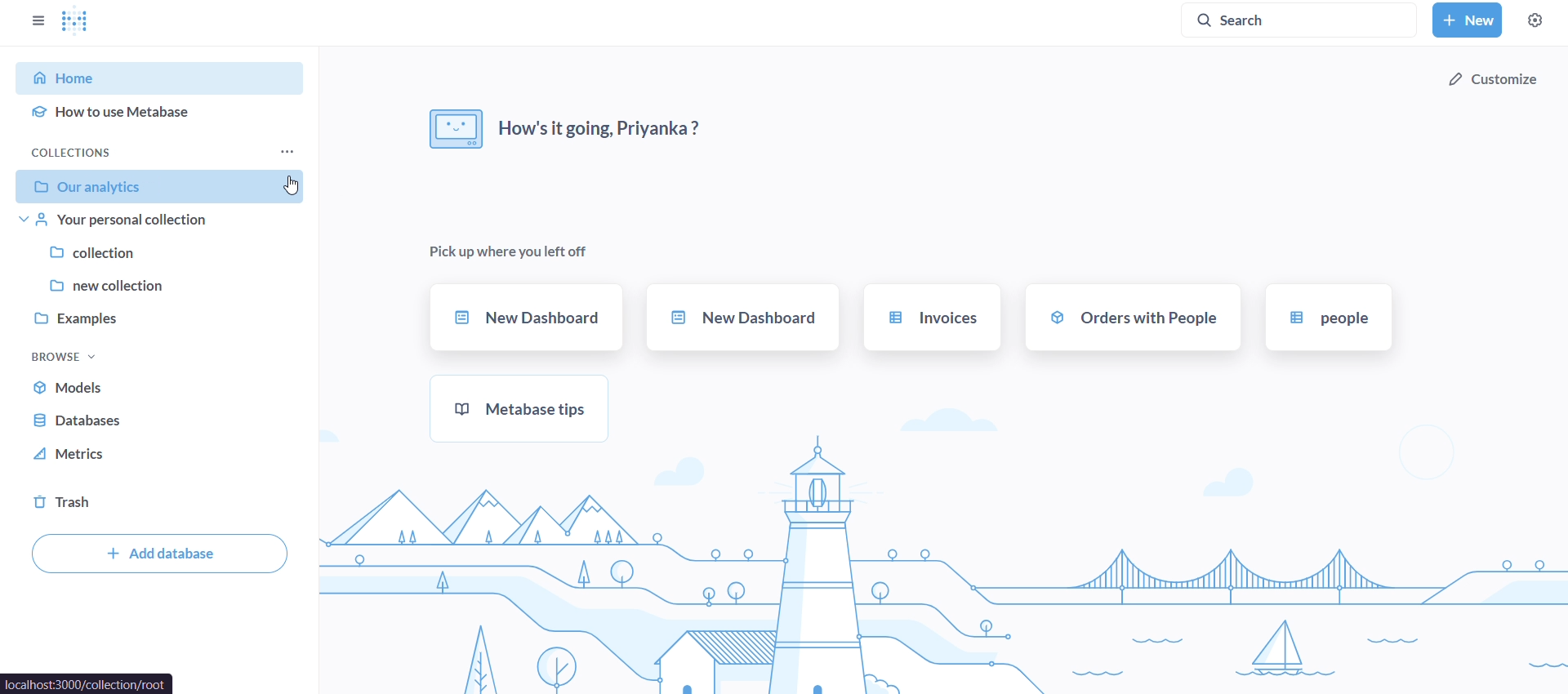 The height and width of the screenshot is (694, 1568). I want to click on add database, so click(159, 552).